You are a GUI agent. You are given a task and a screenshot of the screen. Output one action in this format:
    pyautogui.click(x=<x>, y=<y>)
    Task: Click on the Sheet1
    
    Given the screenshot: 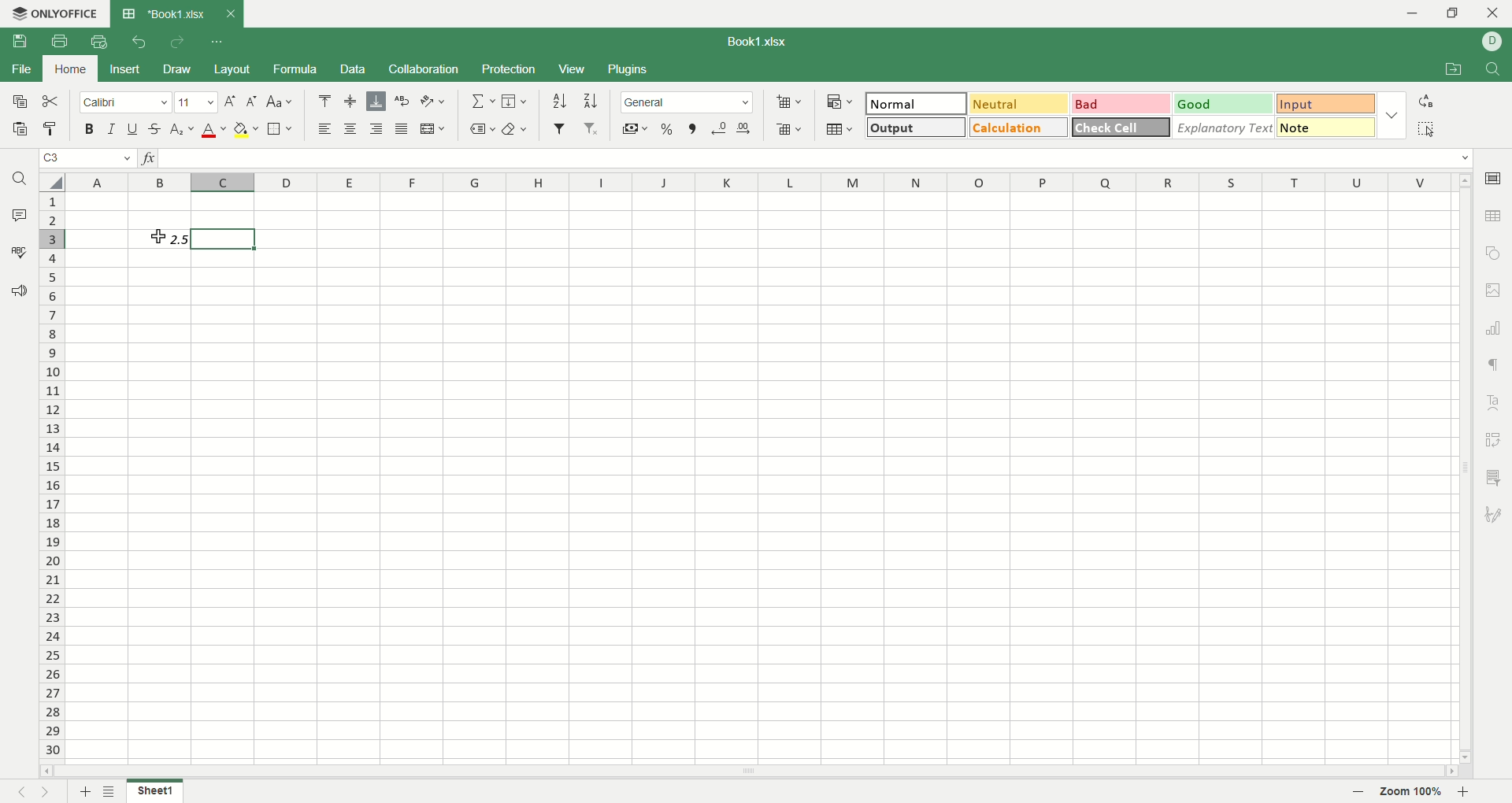 What is the action you would take?
    pyautogui.click(x=157, y=791)
    